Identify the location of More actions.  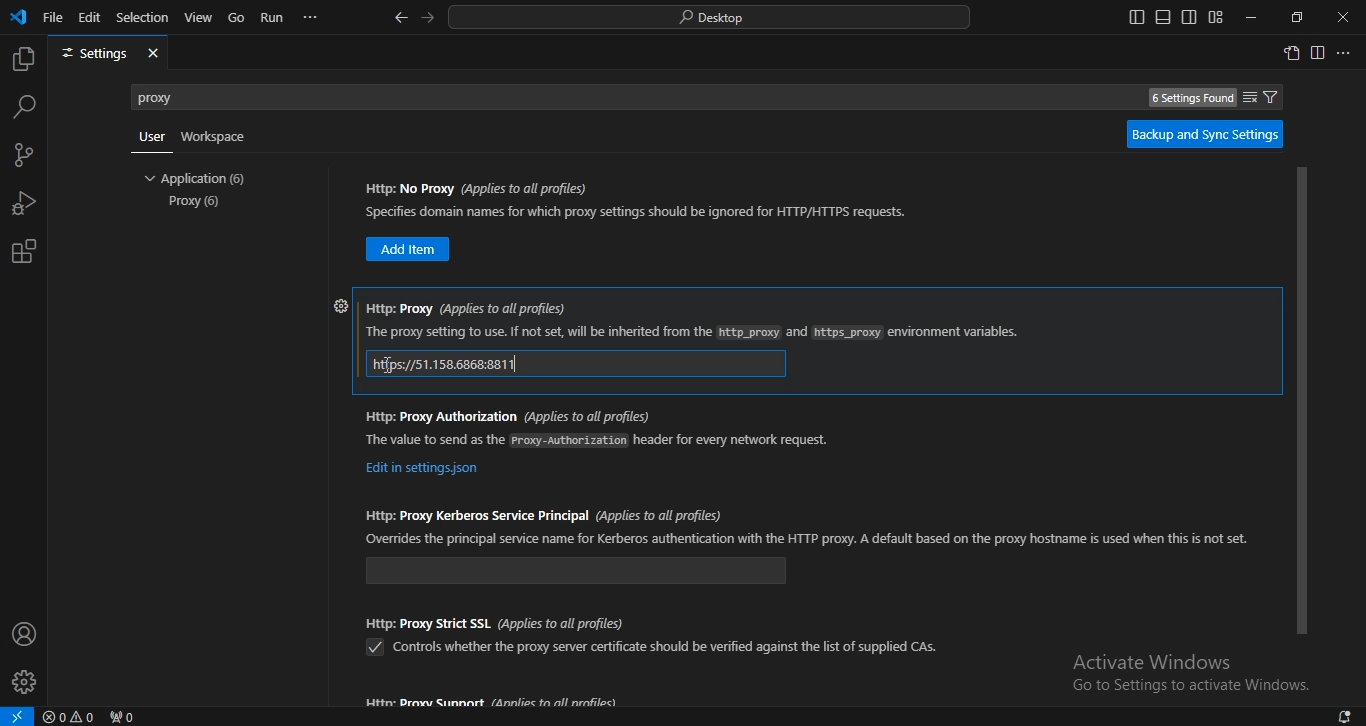
(1346, 51).